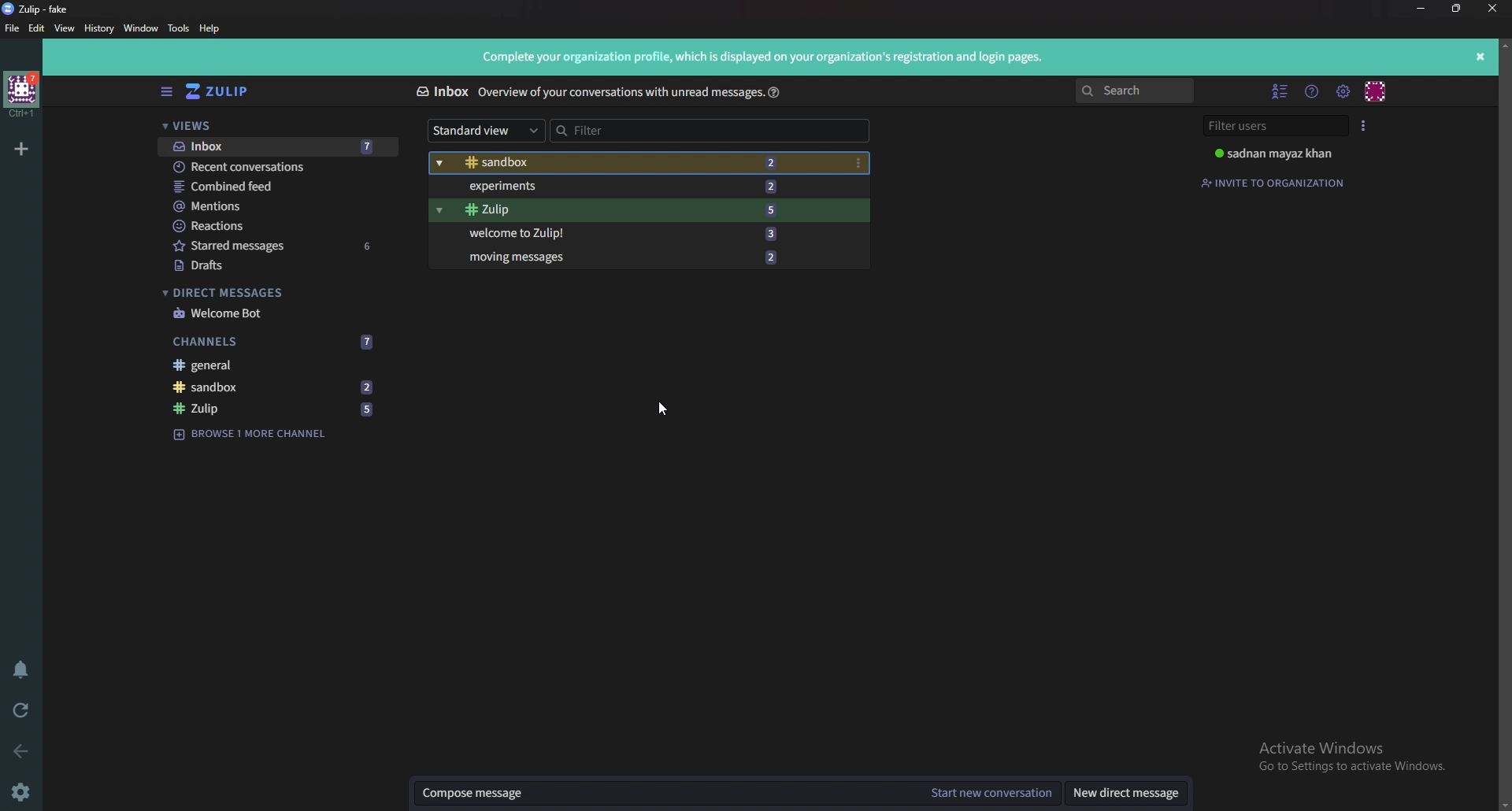 Image resolution: width=1512 pixels, height=811 pixels. Describe the element at coordinates (665, 409) in the screenshot. I see `Cursor` at that location.